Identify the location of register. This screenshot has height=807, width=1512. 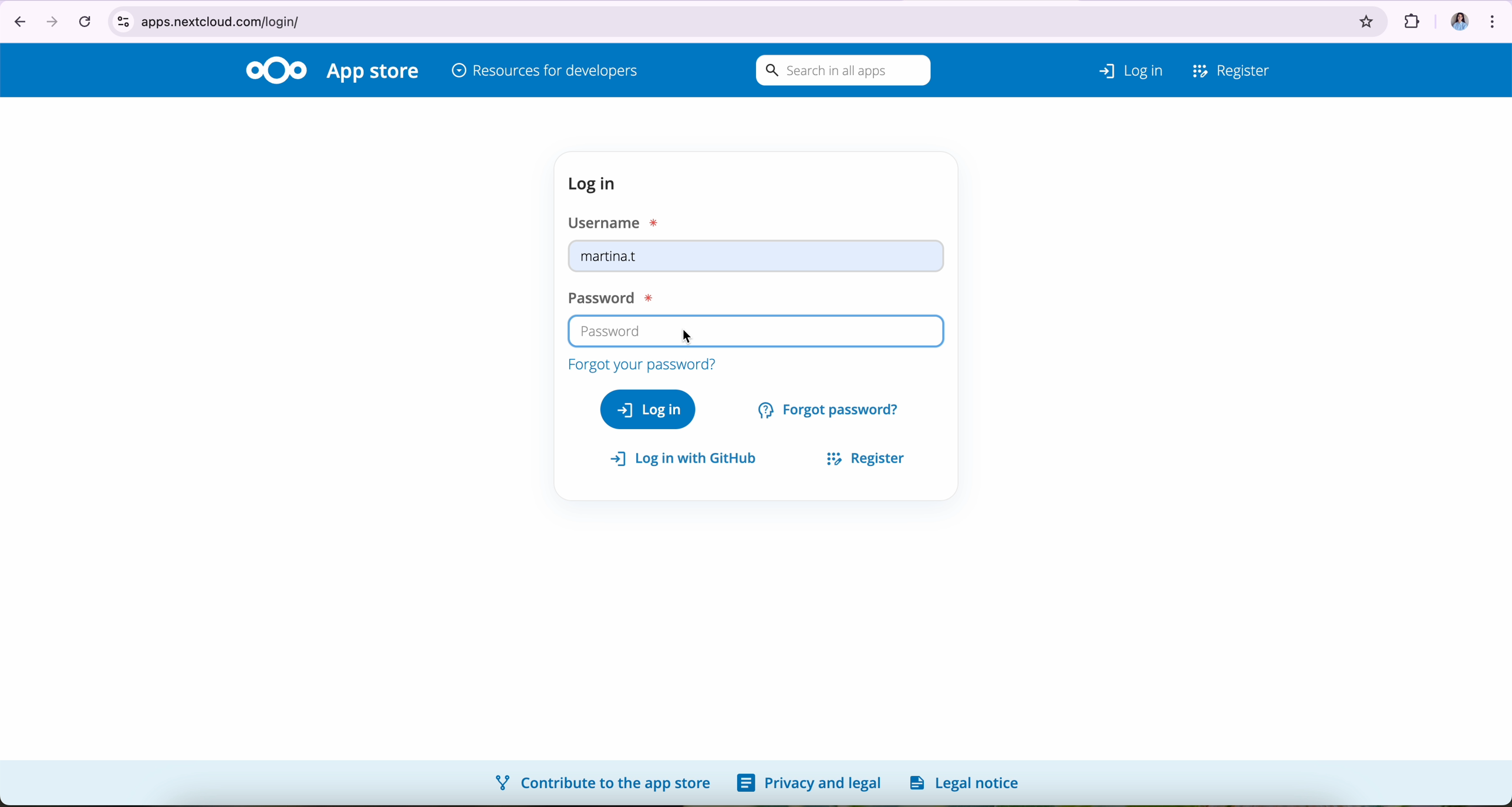
(860, 456).